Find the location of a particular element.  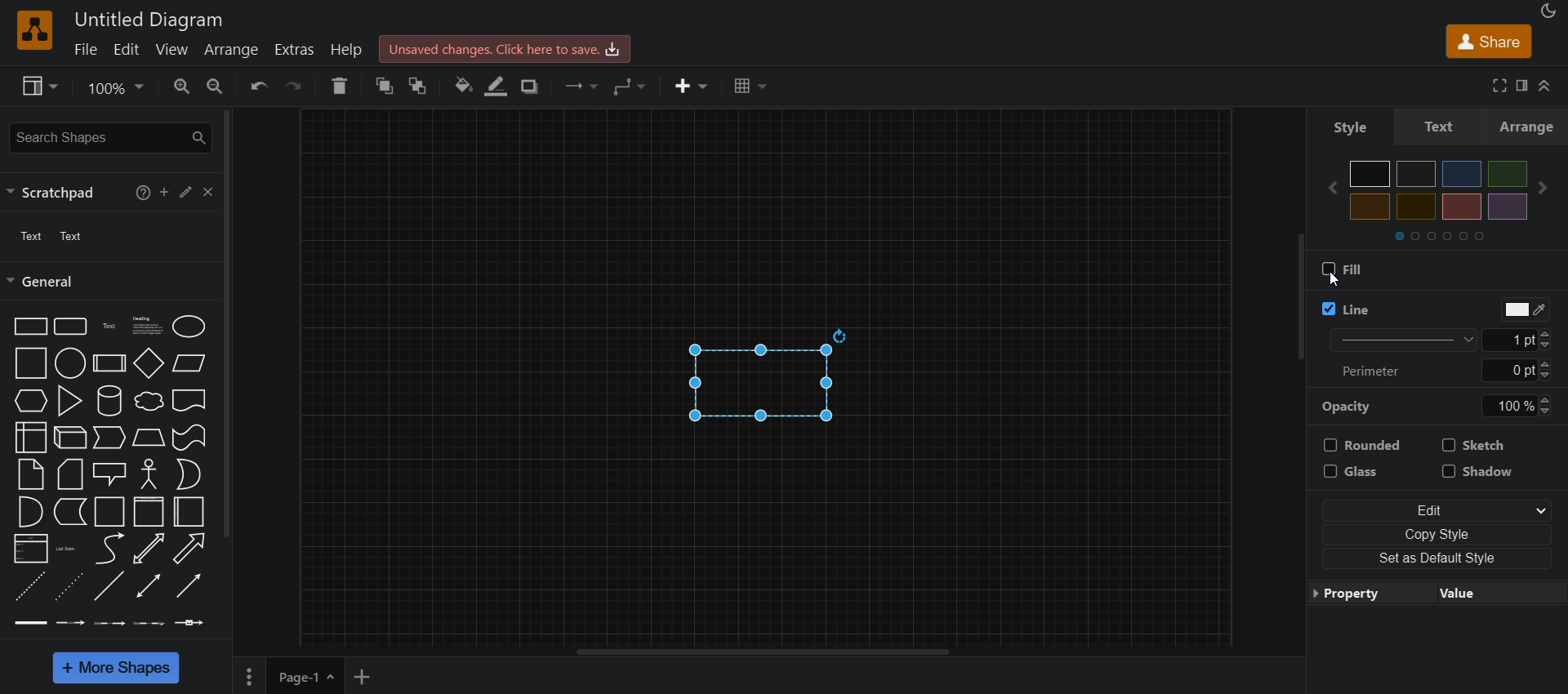

text is located at coordinates (51, 236).